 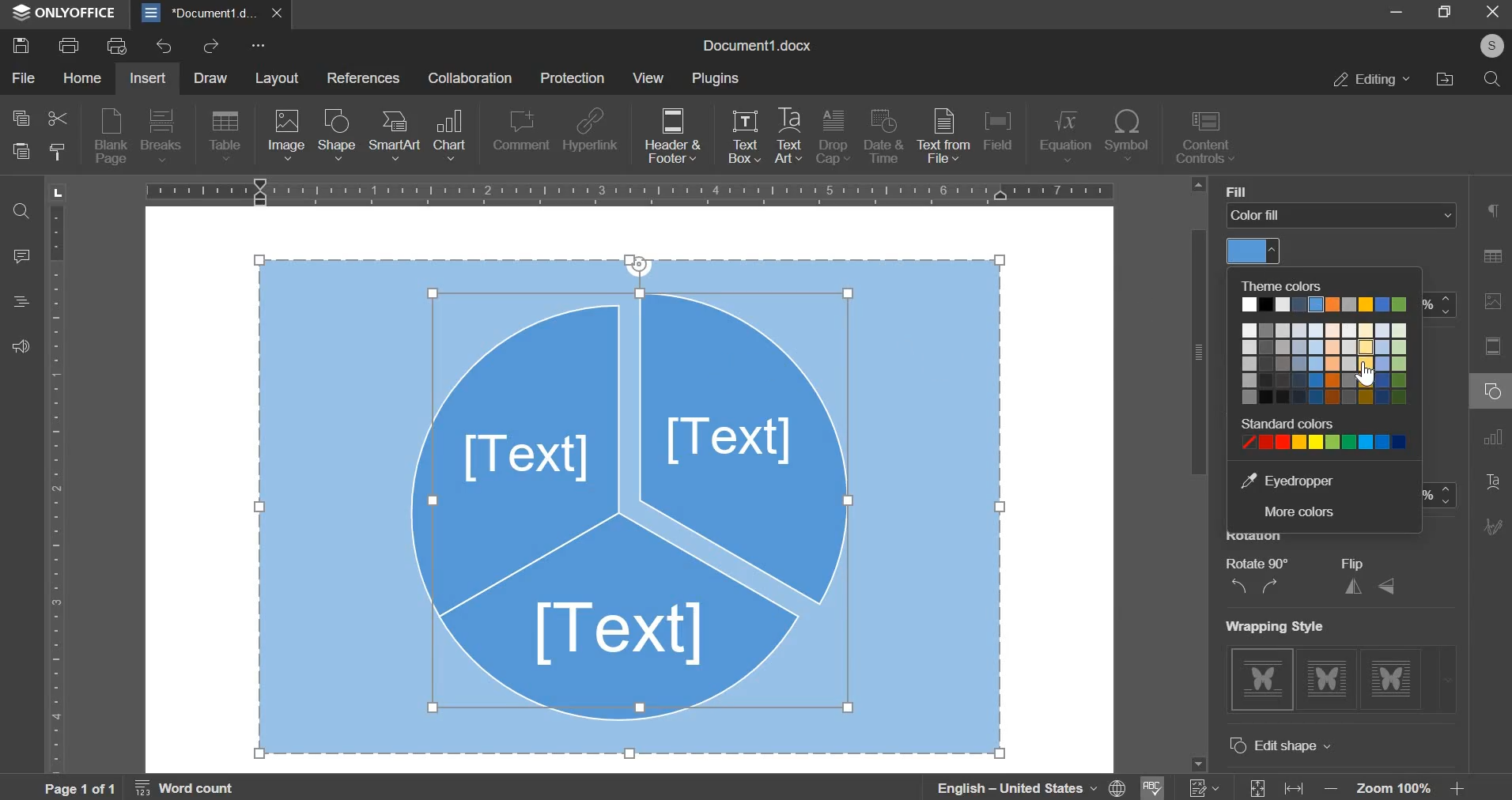 I want to click on shape, so click(x=338, y=134).